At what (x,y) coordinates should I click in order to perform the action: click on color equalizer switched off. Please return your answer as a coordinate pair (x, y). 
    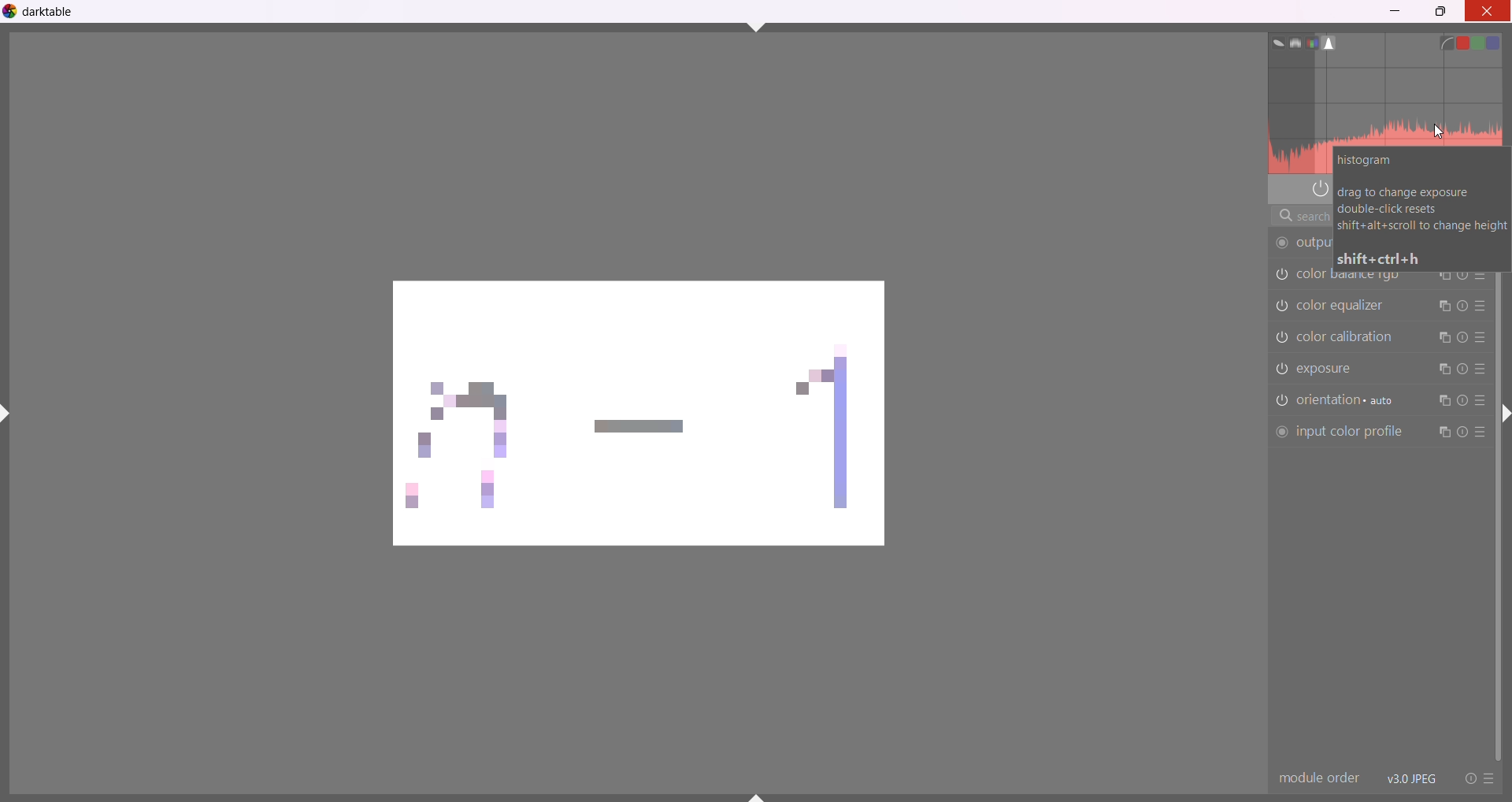
    Looking at the image, I should click on (1282, 304).